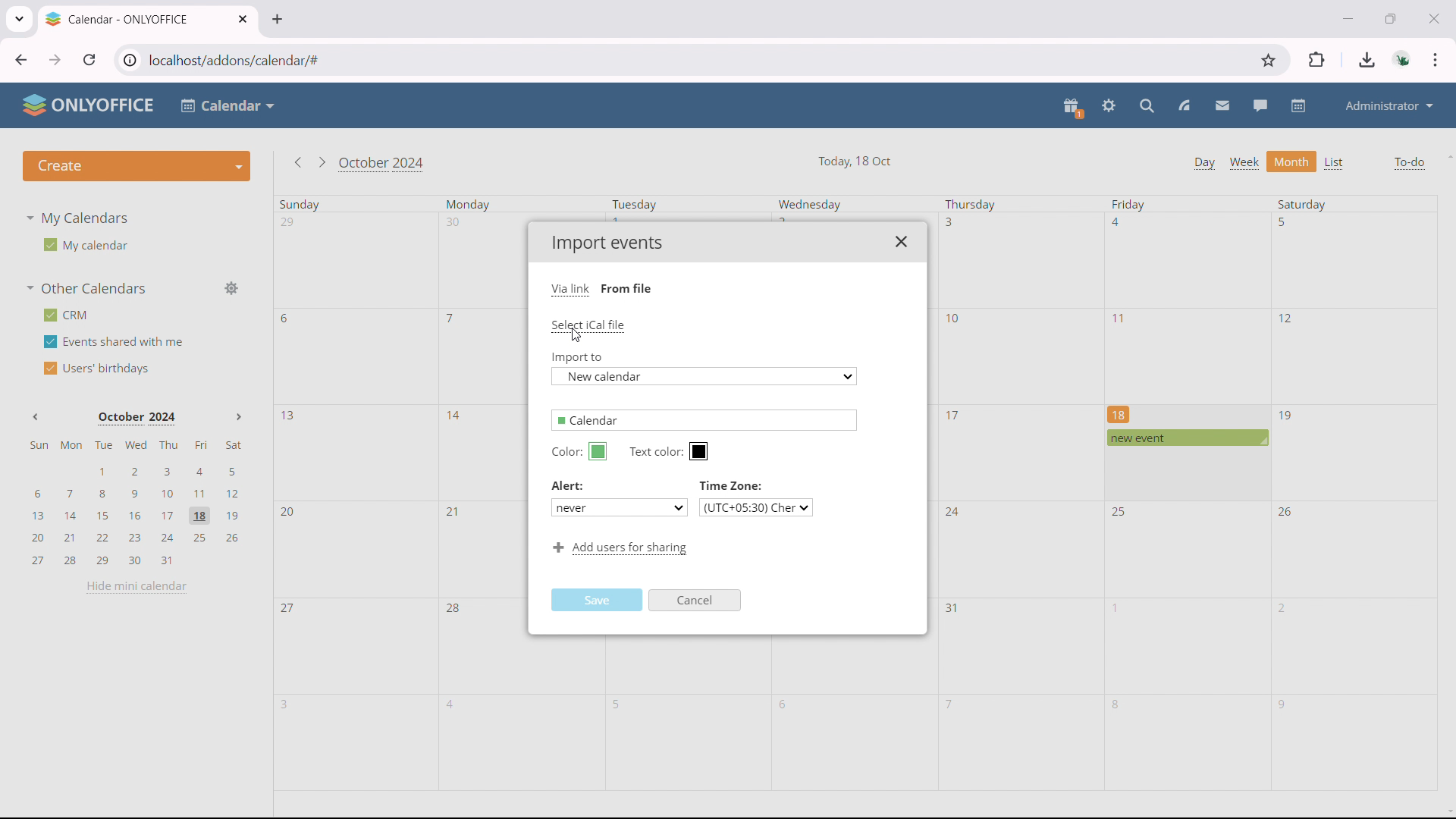 The height and width of the screenshot is (819, 1456). Describe the element at coordinates (1117, 704) in the screenshot. I see `8` at that location.